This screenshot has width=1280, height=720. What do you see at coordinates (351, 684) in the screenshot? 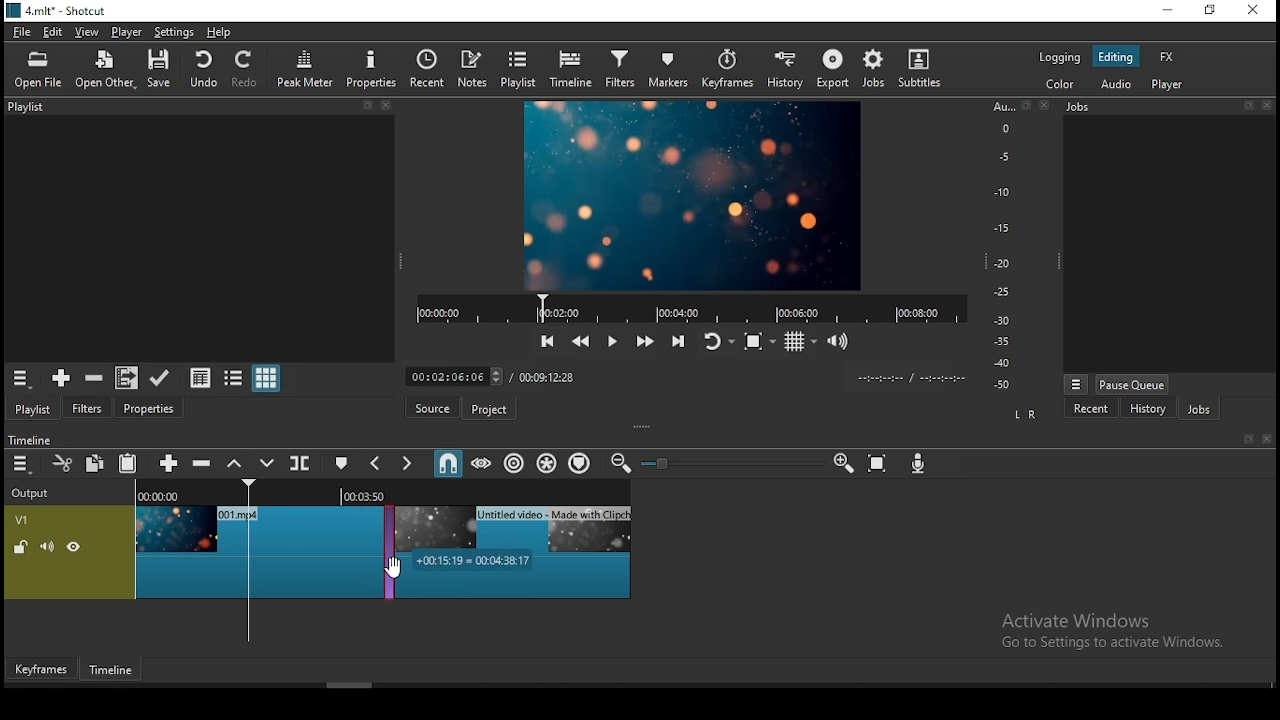
I see `scroll bar` at bounding box center [351, 684].